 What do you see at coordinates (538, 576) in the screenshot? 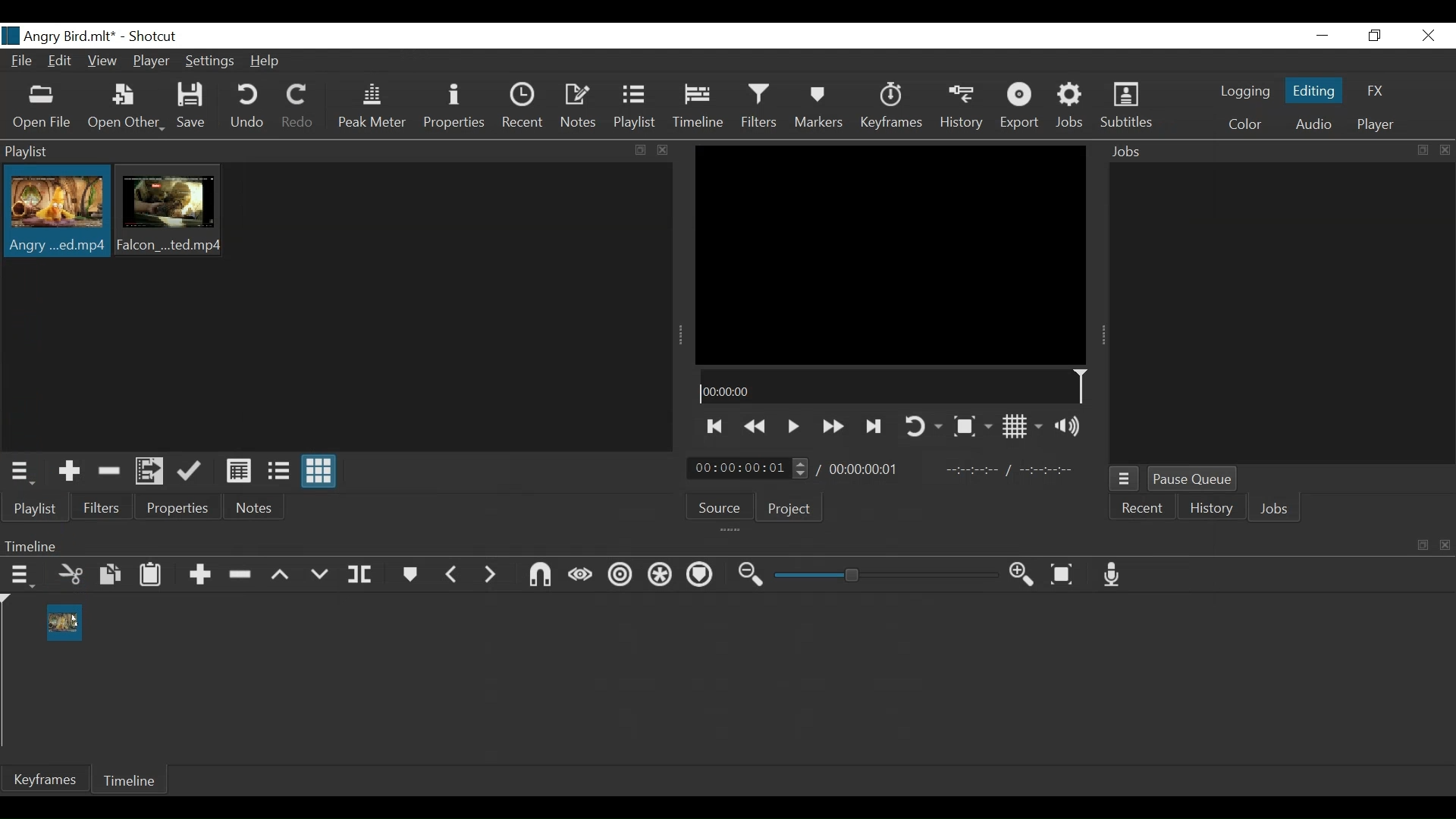
I see `Snap` at bounding box center [538, 576].